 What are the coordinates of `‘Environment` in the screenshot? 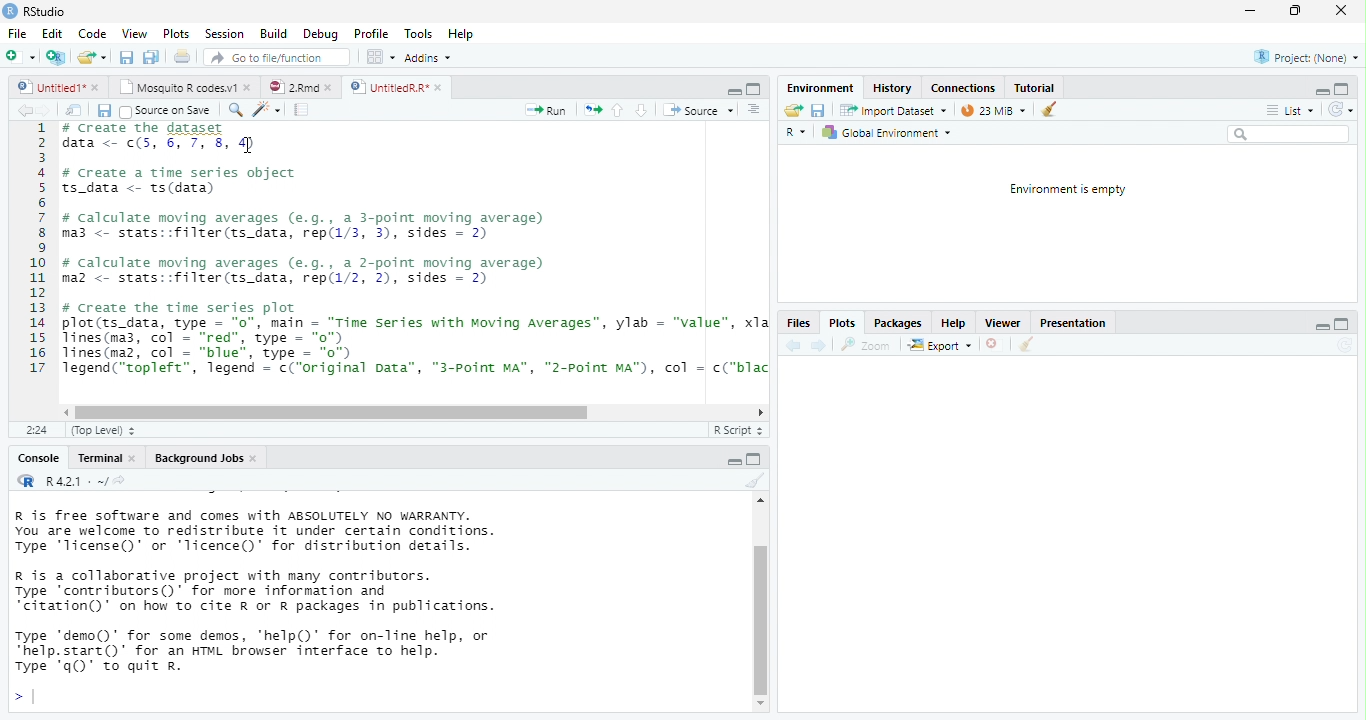 It's located at (819, 88).